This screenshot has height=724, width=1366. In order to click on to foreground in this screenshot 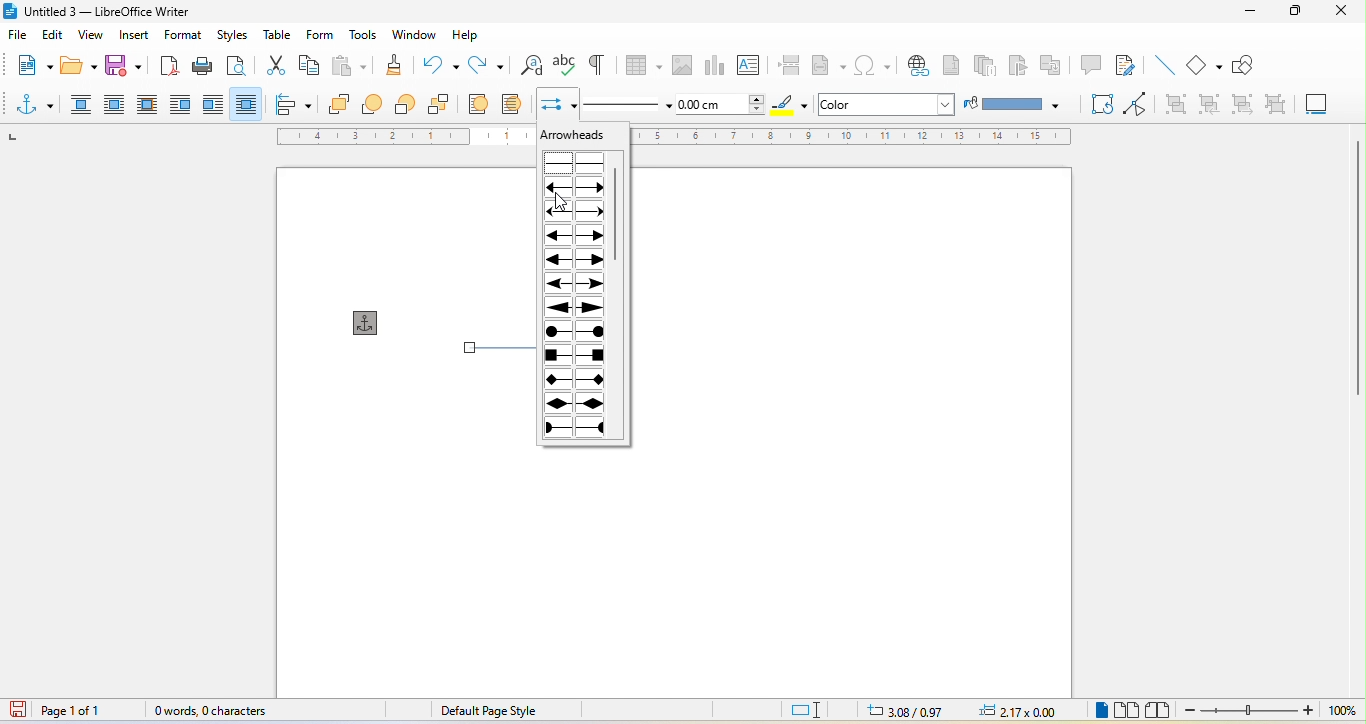, I will do `click(480, 103)`.